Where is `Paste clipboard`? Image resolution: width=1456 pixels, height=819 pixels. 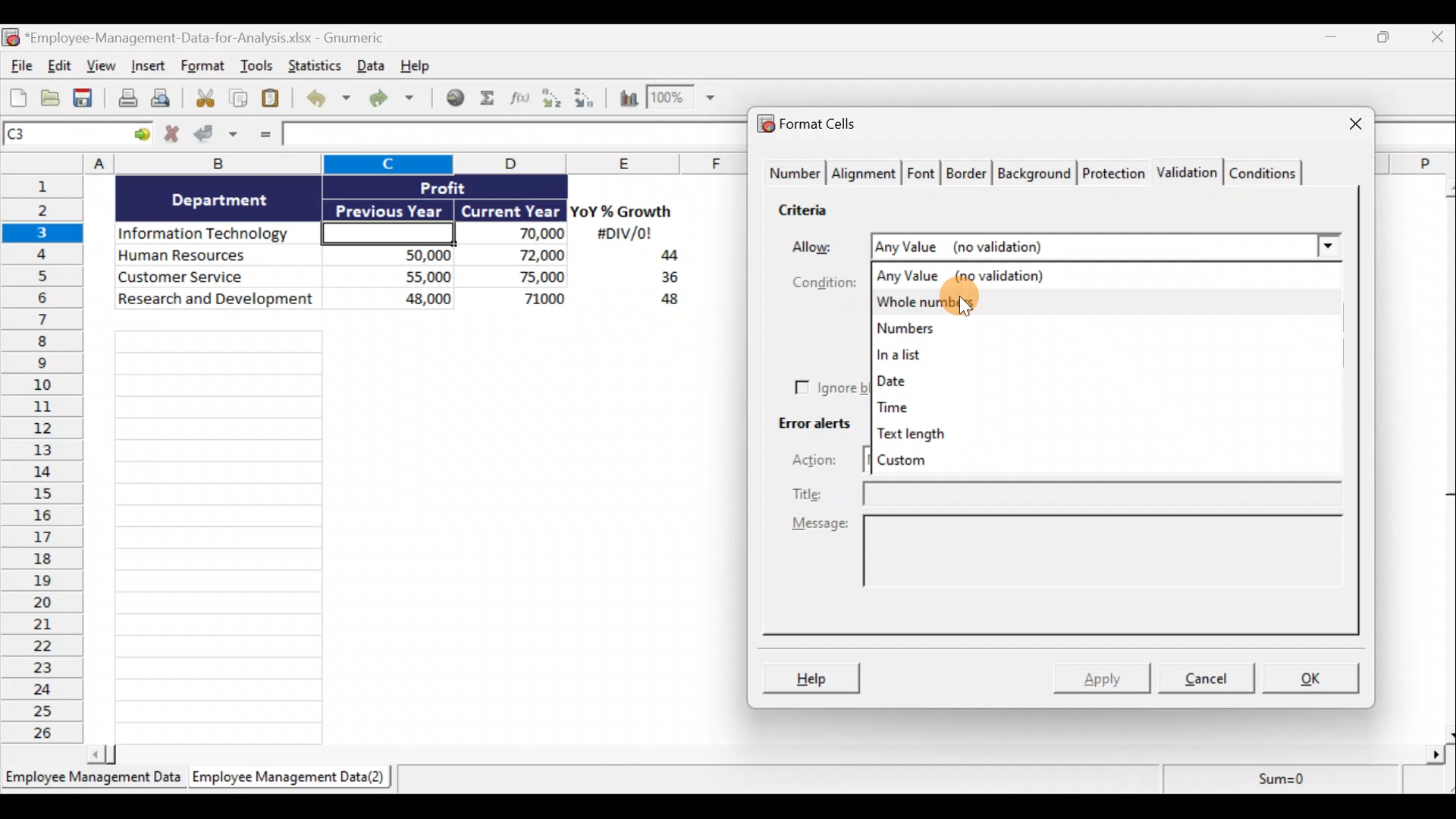 Paste clipboard is located at coordinates (275, 99).